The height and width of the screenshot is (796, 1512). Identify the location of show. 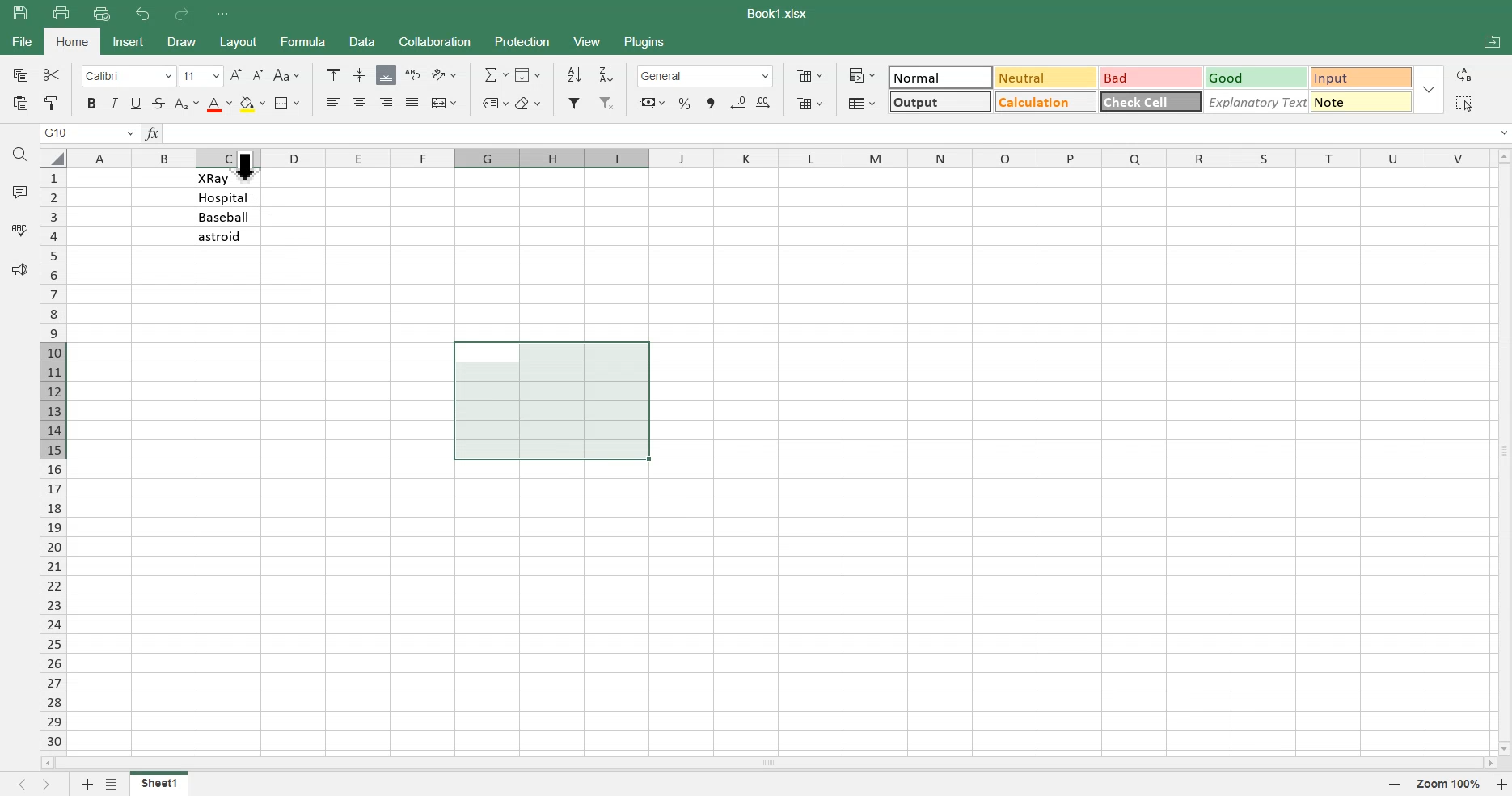
(1433, 89).